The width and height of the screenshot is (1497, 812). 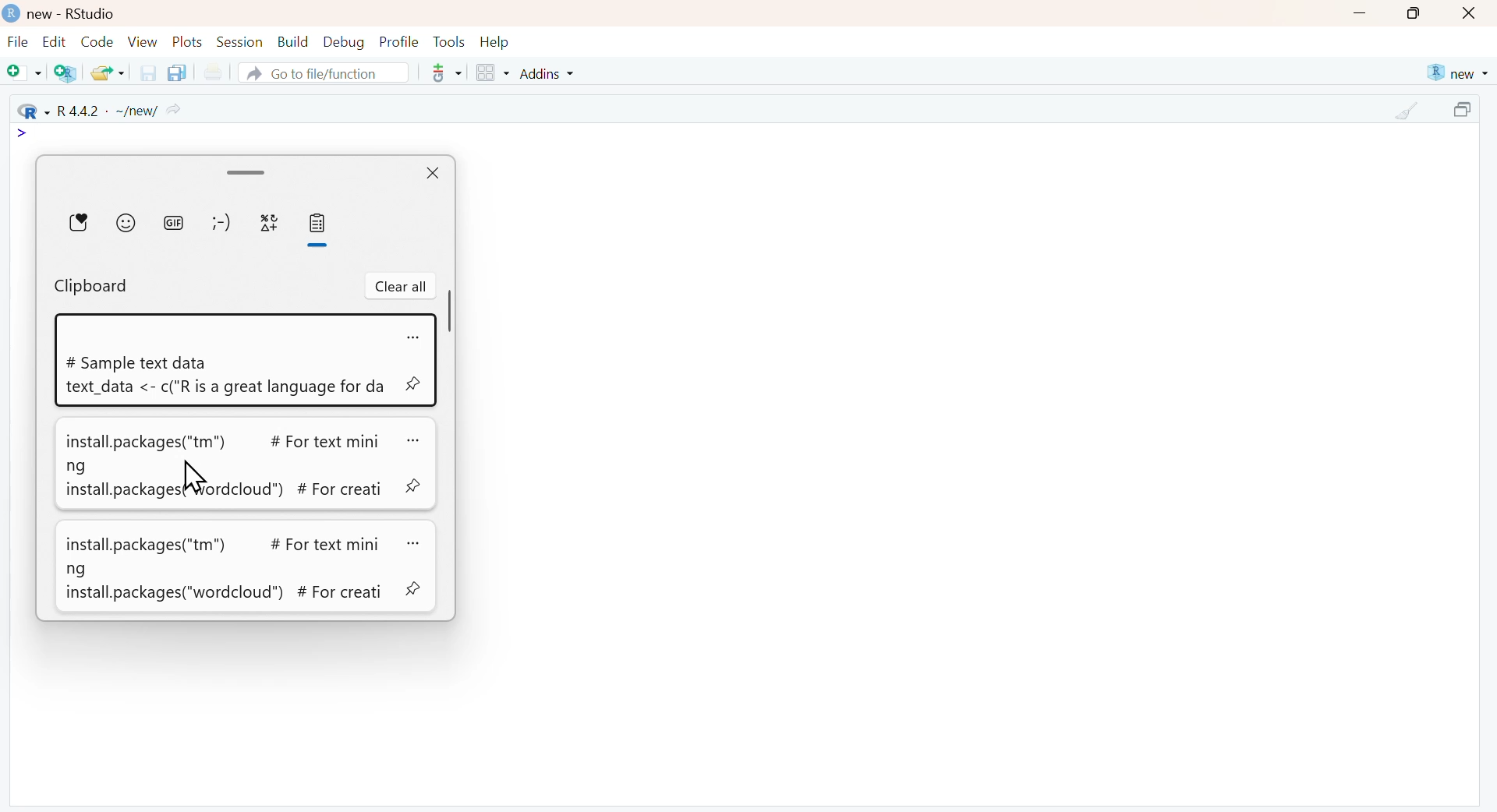 I want to click on Workspace panes, so click(x=491, y=73).